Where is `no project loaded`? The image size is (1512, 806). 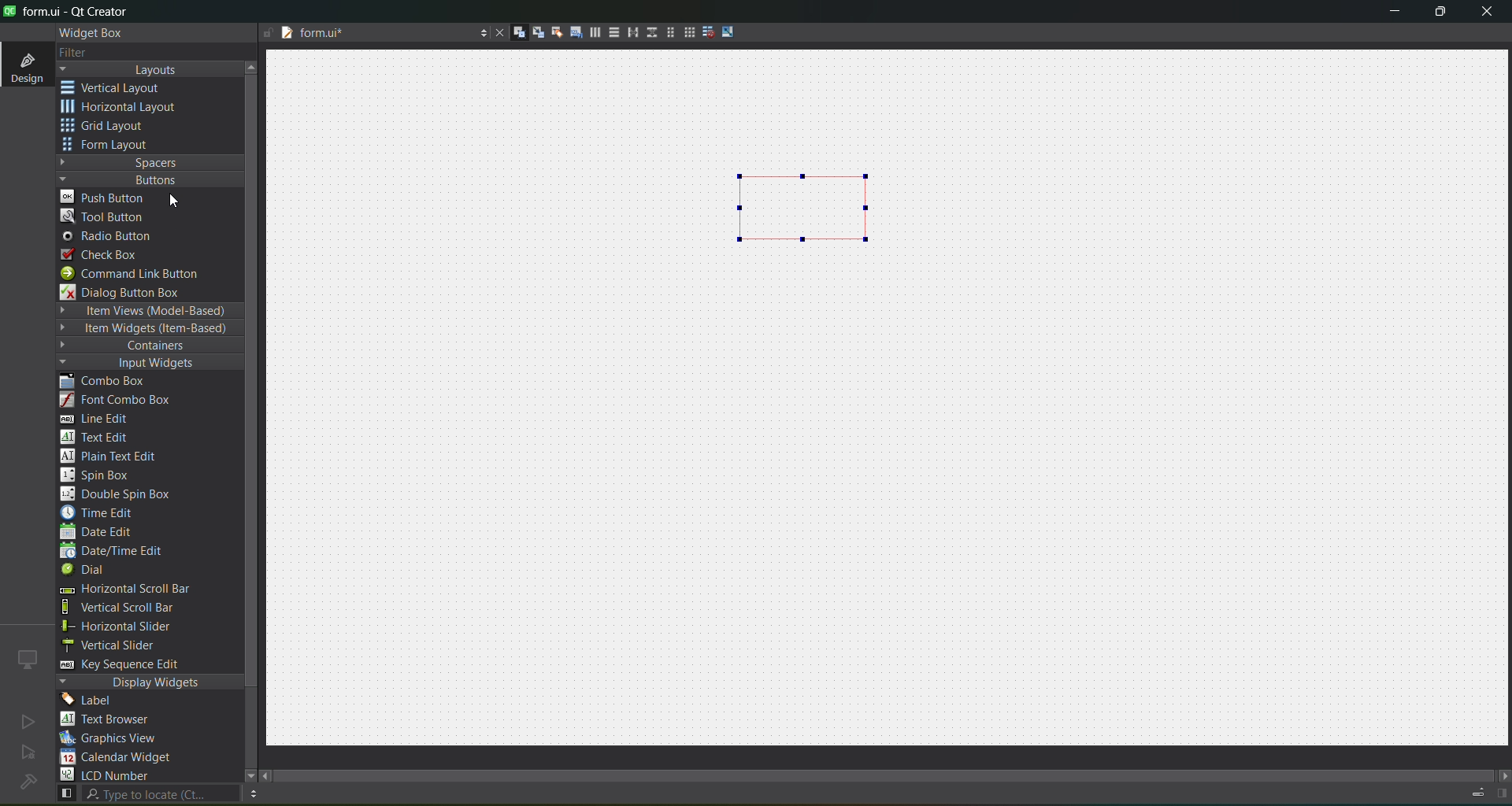
no project loaded is located at coordinates (28, 782).